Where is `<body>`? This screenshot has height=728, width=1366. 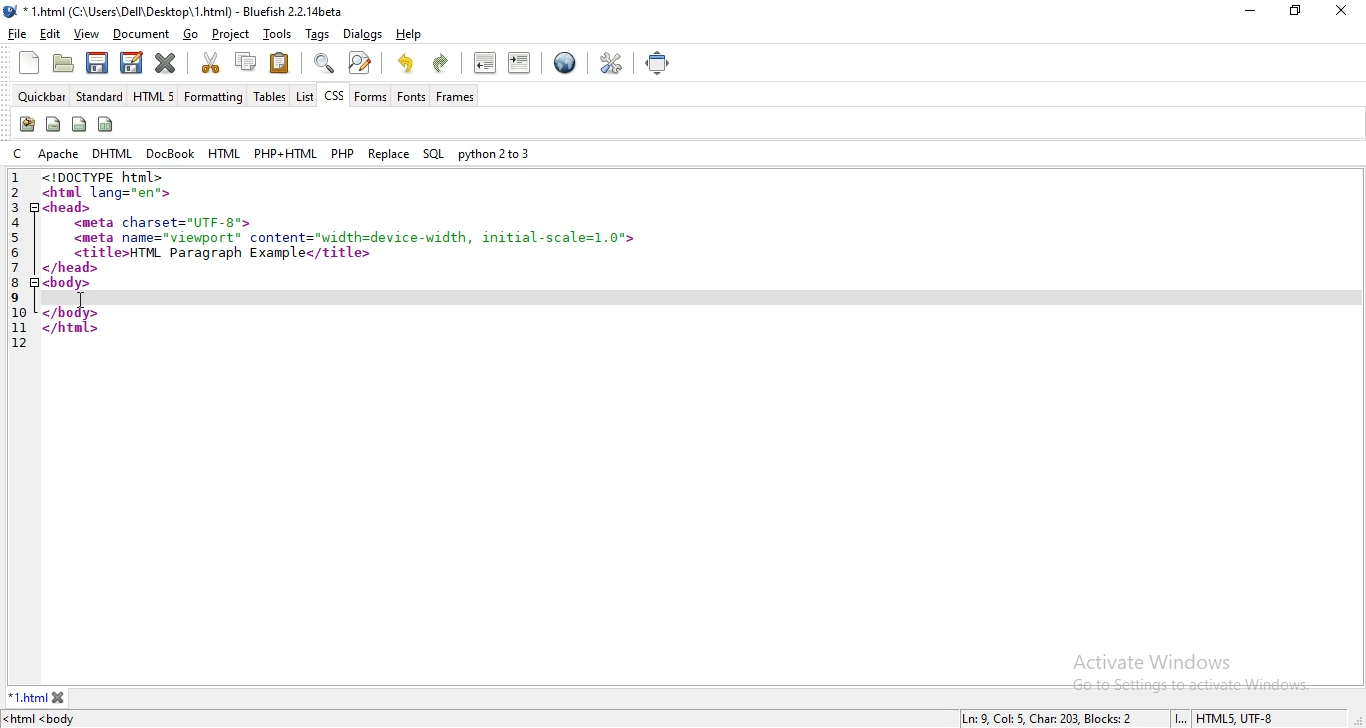
<body> is located at coordinates (69, 283).